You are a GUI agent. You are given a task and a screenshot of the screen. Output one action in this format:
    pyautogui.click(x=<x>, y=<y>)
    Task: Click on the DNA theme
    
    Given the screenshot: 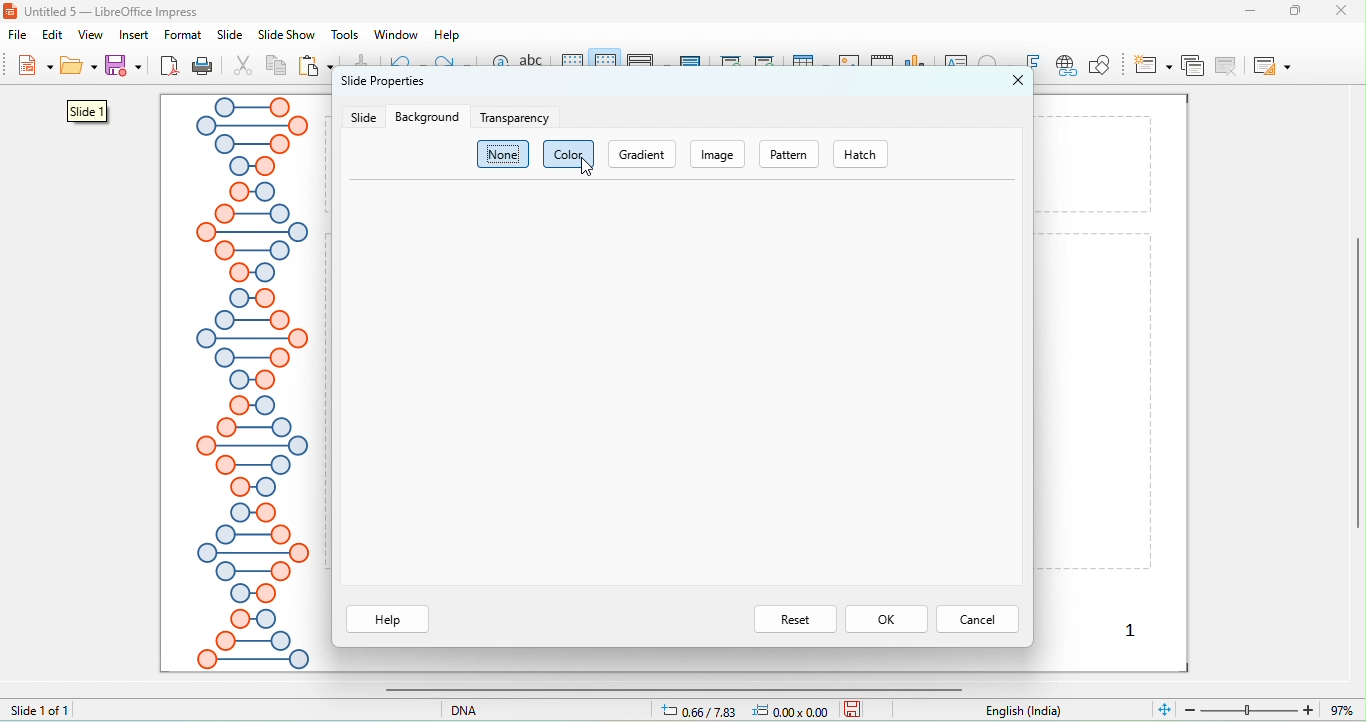 What is the action you would take?
    pyautogui.click(x=250, y=384)
    